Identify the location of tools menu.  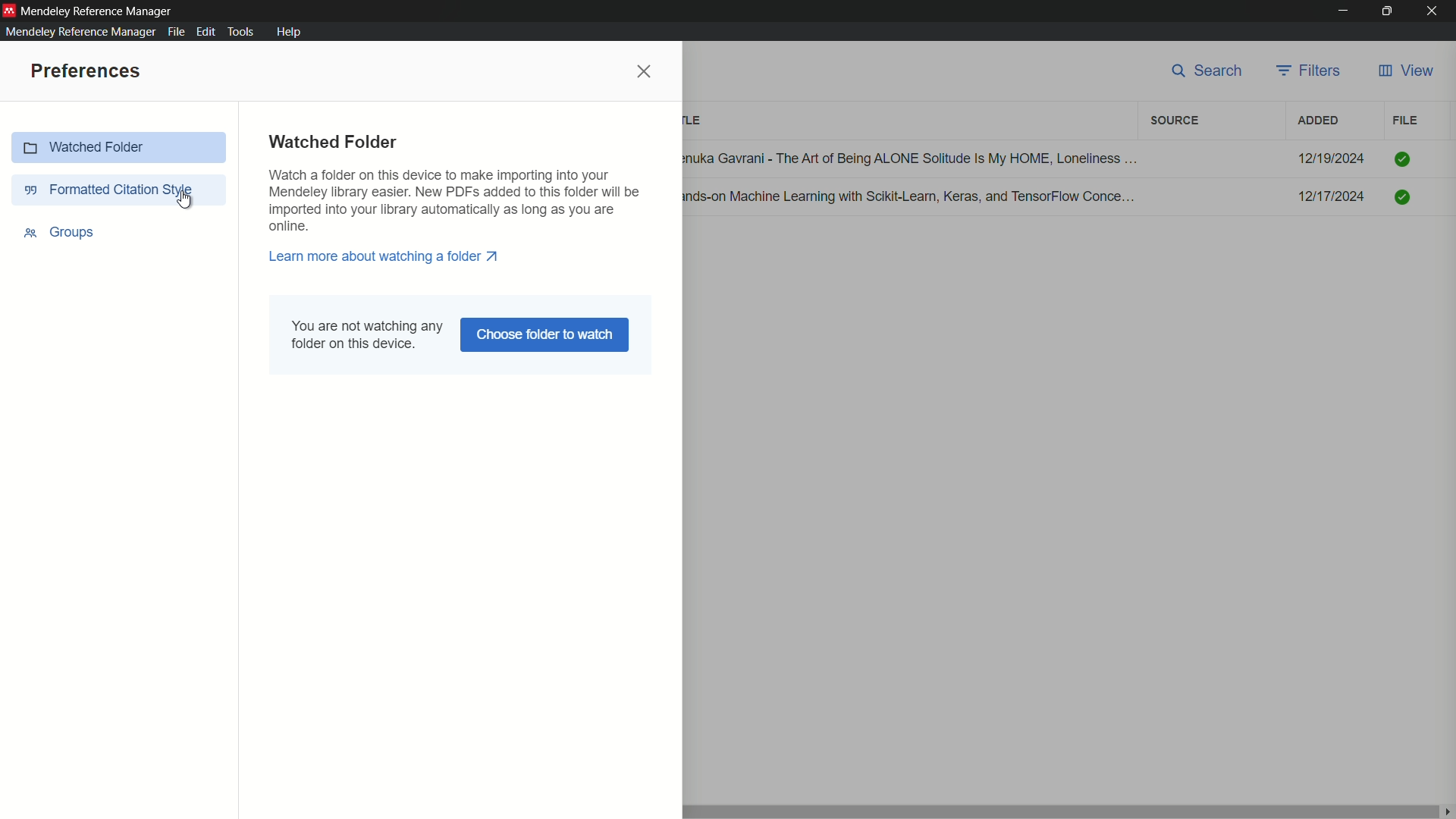
(242, 32).